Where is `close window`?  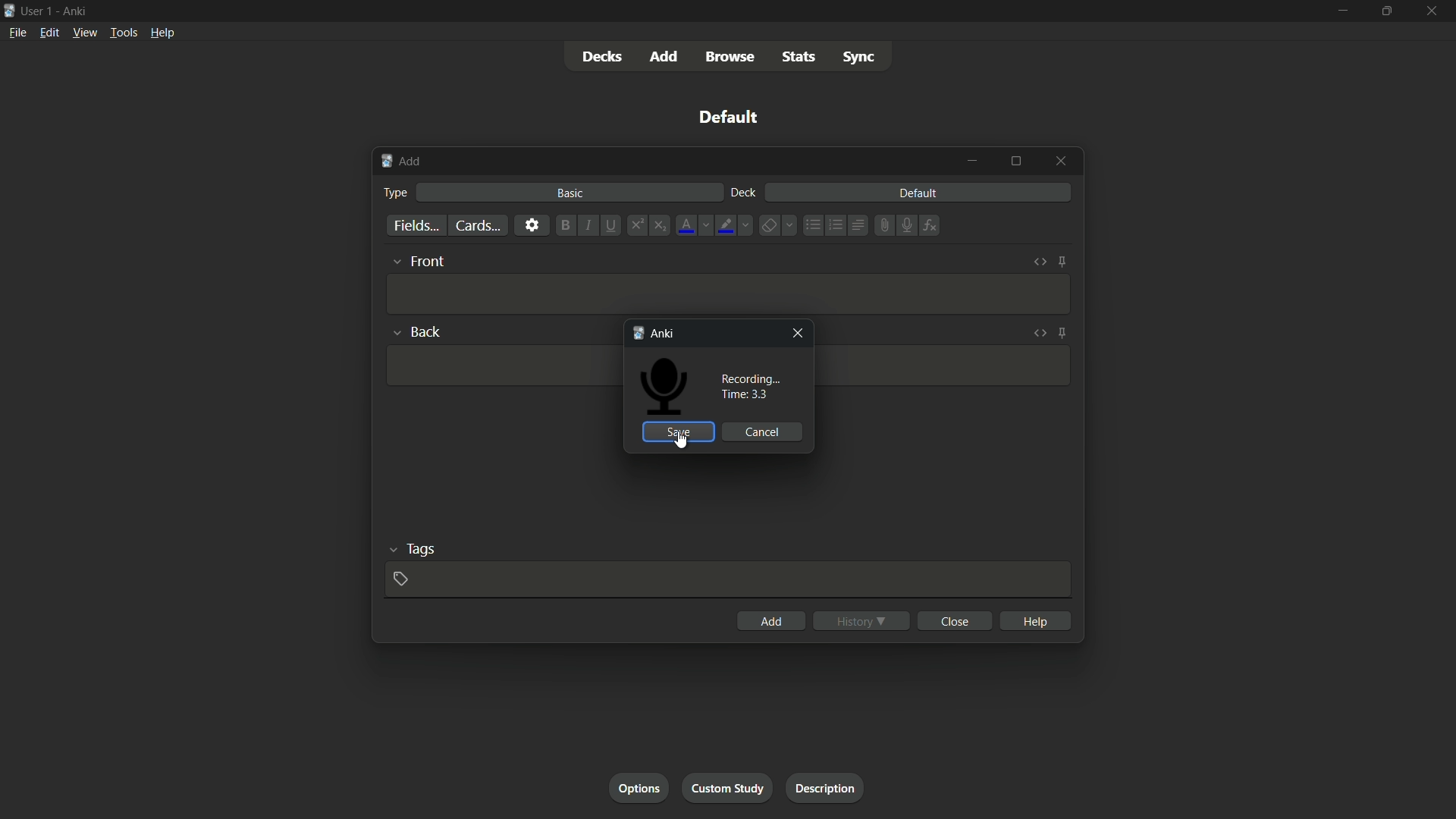 close window is located at coordinates (794, 334).